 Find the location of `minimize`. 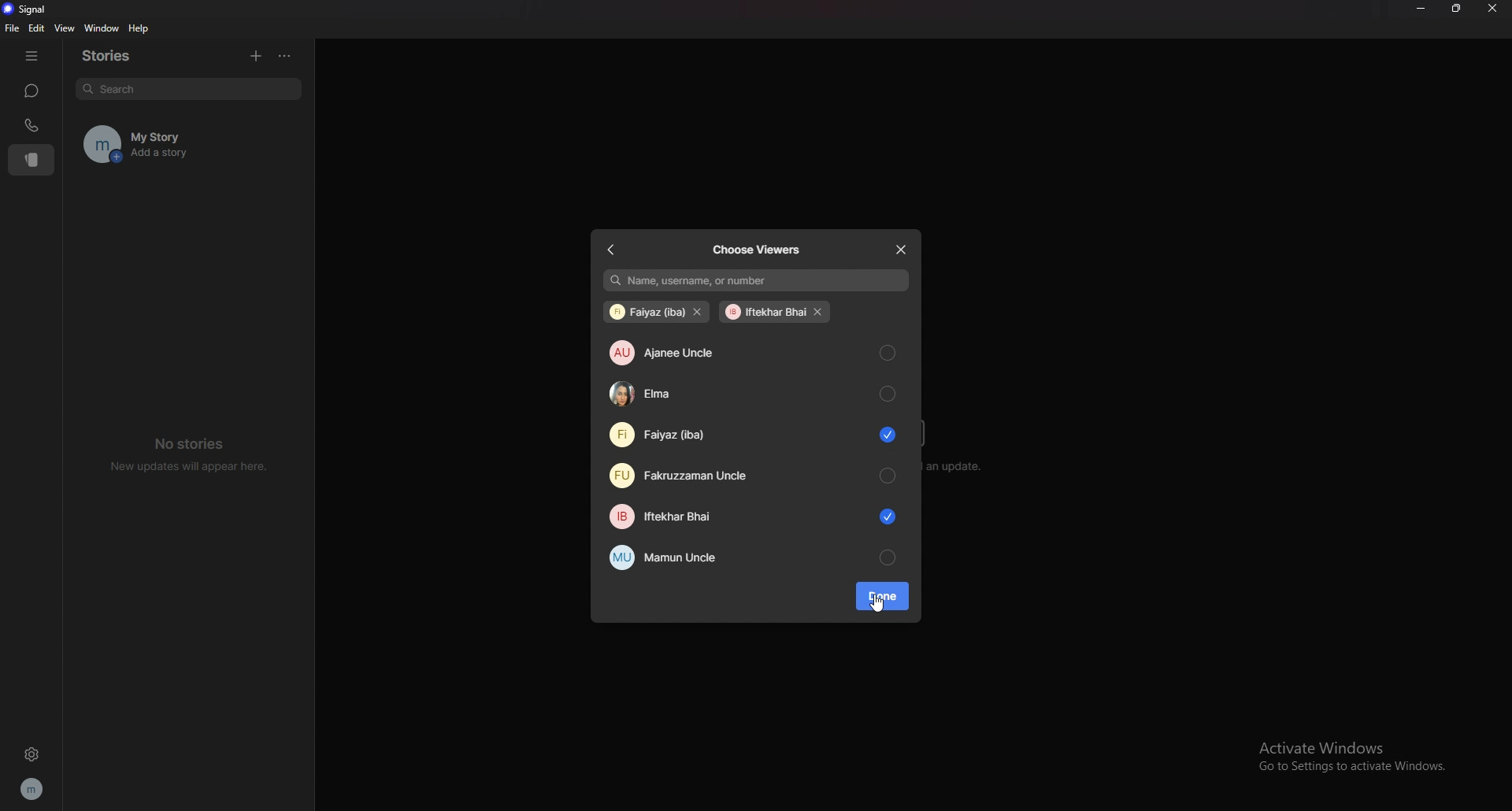

minimize is located at coordinates (1421, 9).